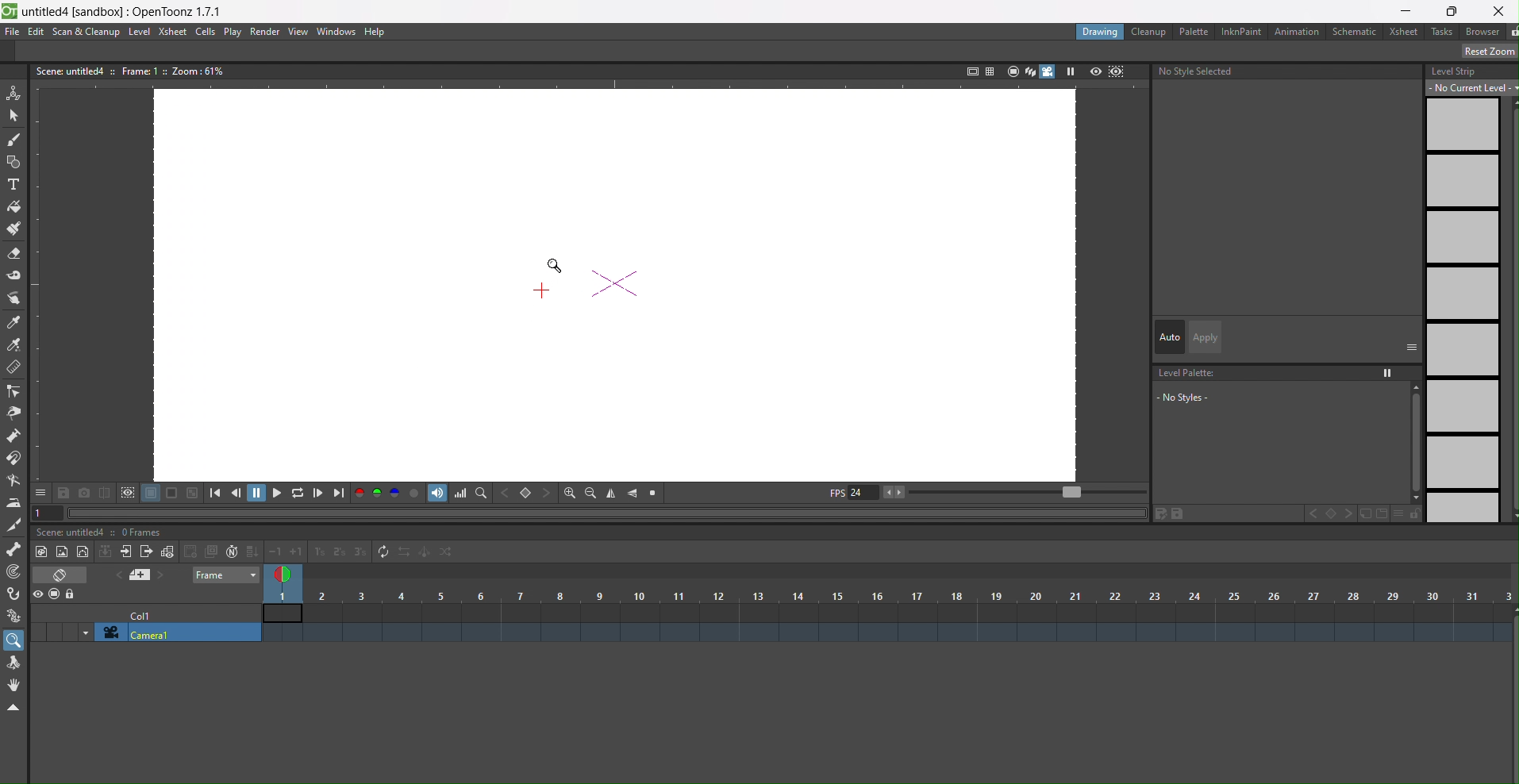 The width and height of the screenshot is (1519, 784). What do you see at coordinates (402, 553) in the screenshot?
I see `` at bounding box center [402, 553].